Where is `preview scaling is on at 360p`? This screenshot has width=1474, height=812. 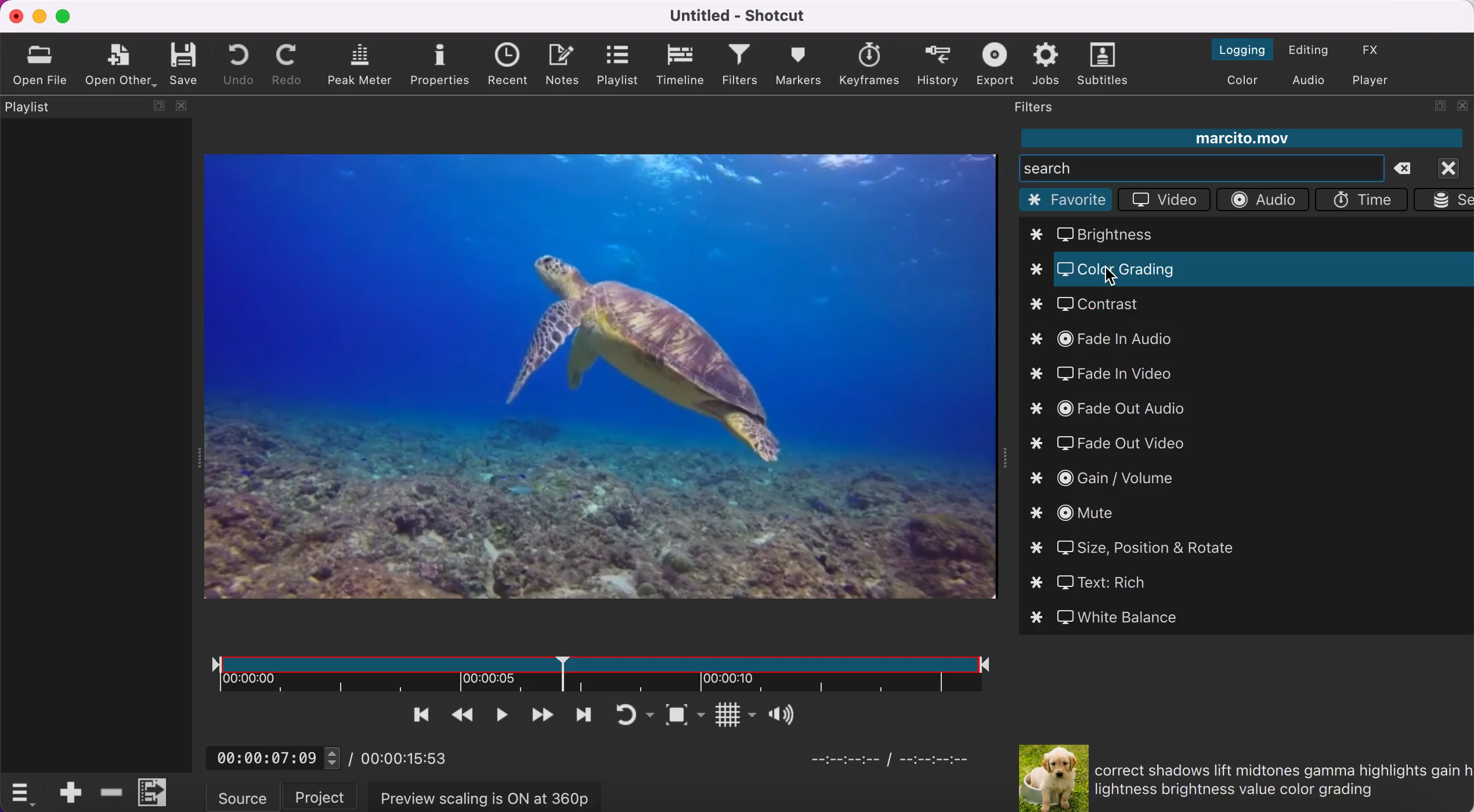 preview scaling is on at 360p is located at coordinates (482, 797).